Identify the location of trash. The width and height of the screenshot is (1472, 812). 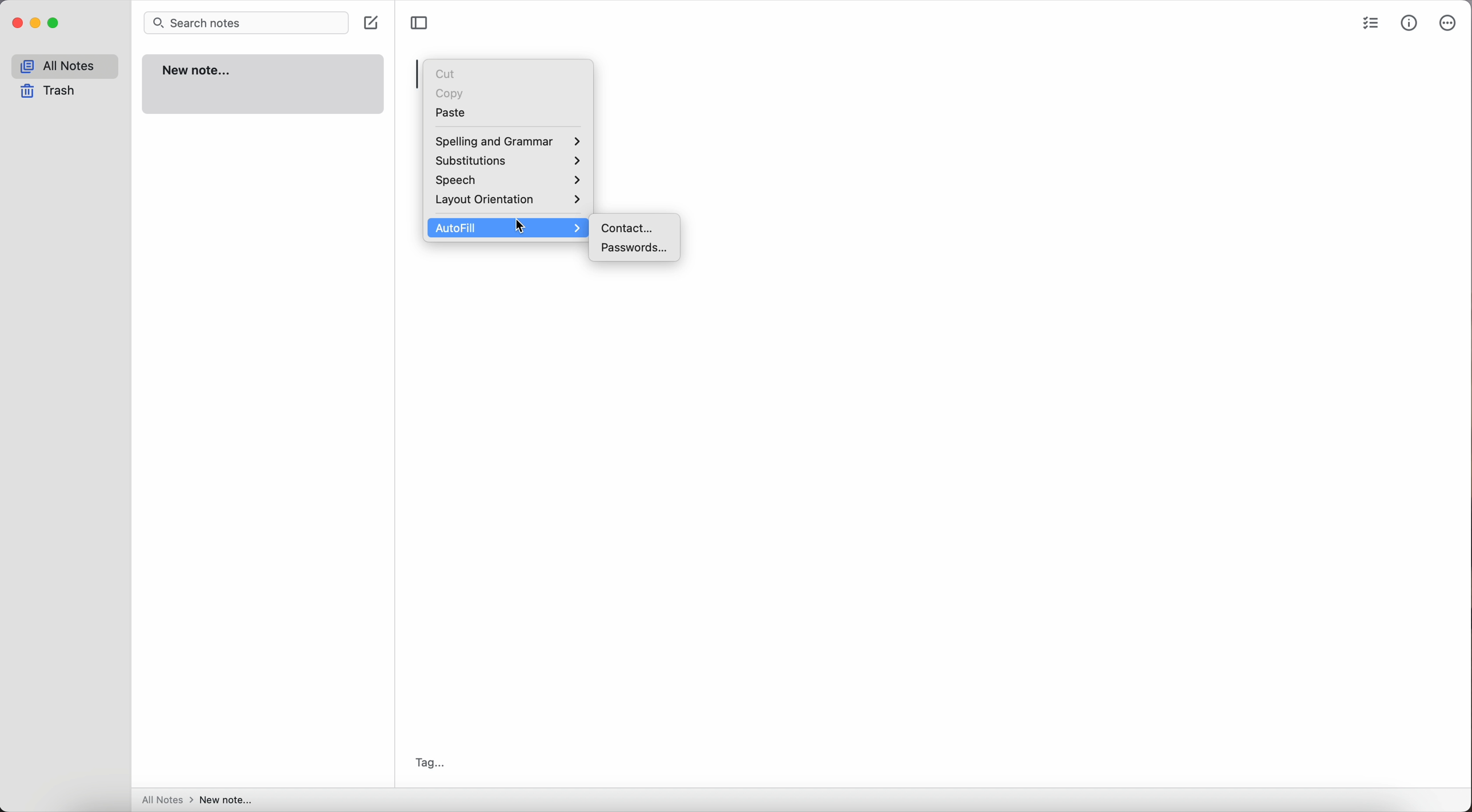
(48, 92).